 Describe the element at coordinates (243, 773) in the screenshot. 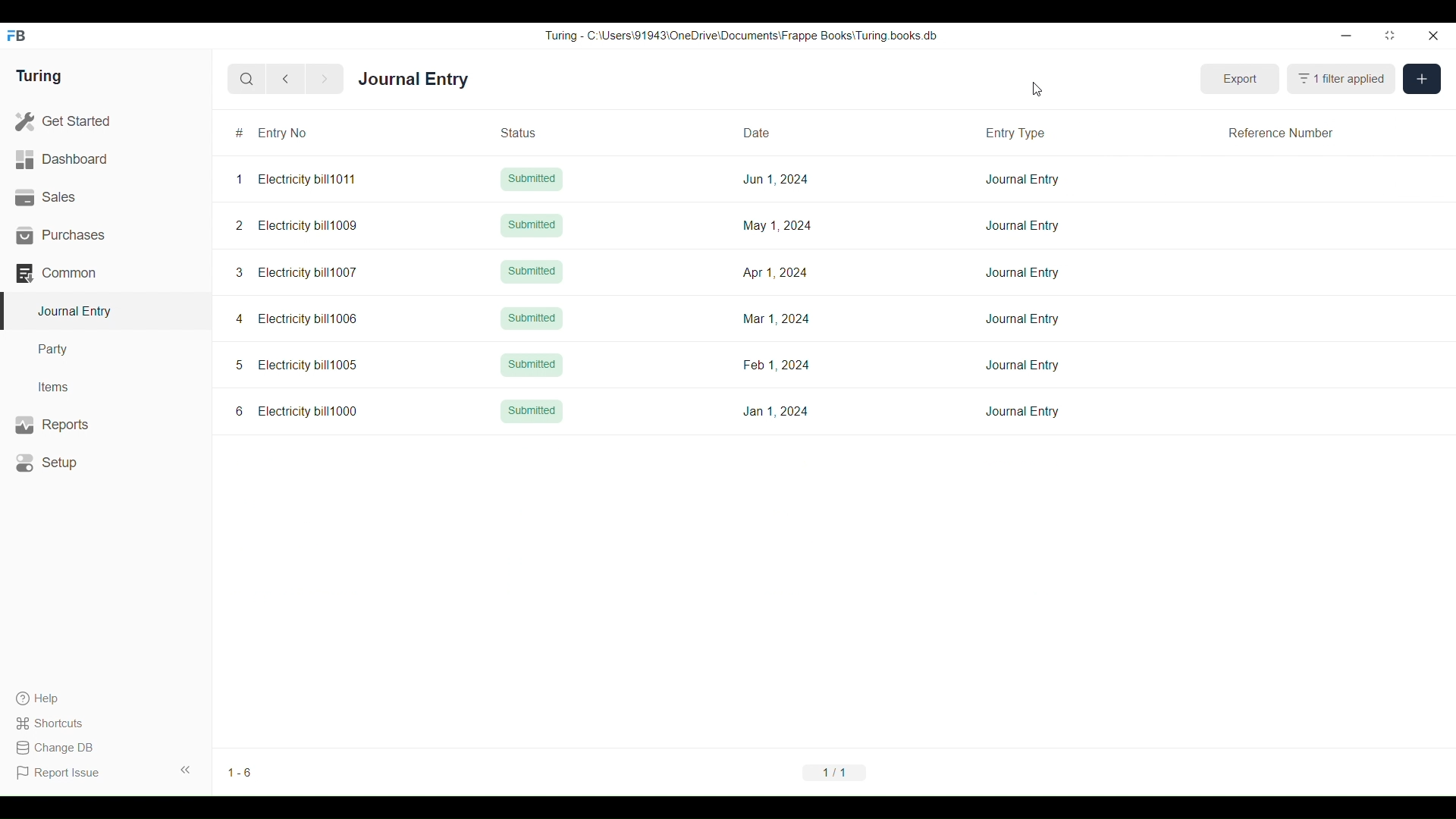

I see `1-10` at that location.